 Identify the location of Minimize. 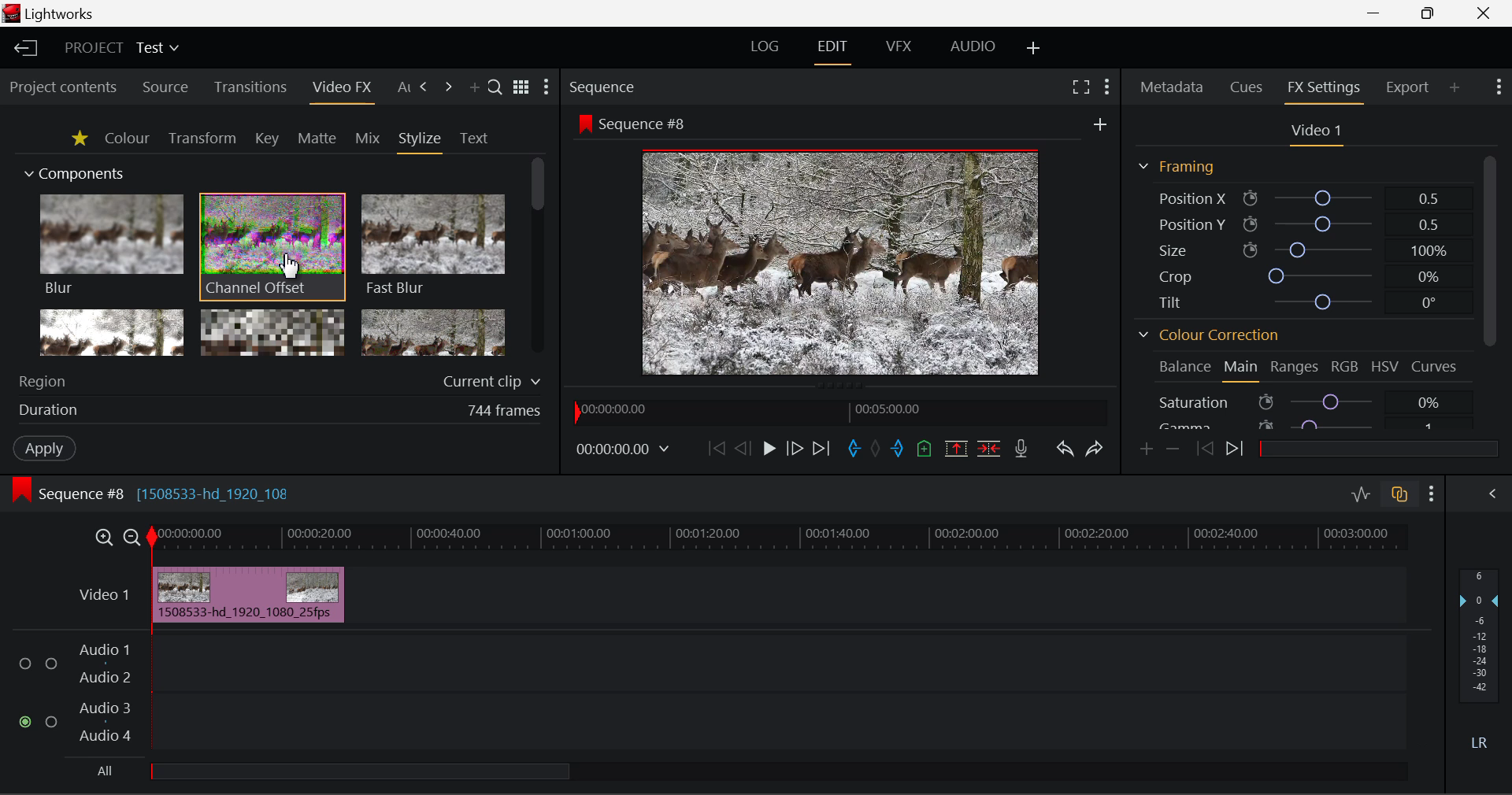
(1431, 13).